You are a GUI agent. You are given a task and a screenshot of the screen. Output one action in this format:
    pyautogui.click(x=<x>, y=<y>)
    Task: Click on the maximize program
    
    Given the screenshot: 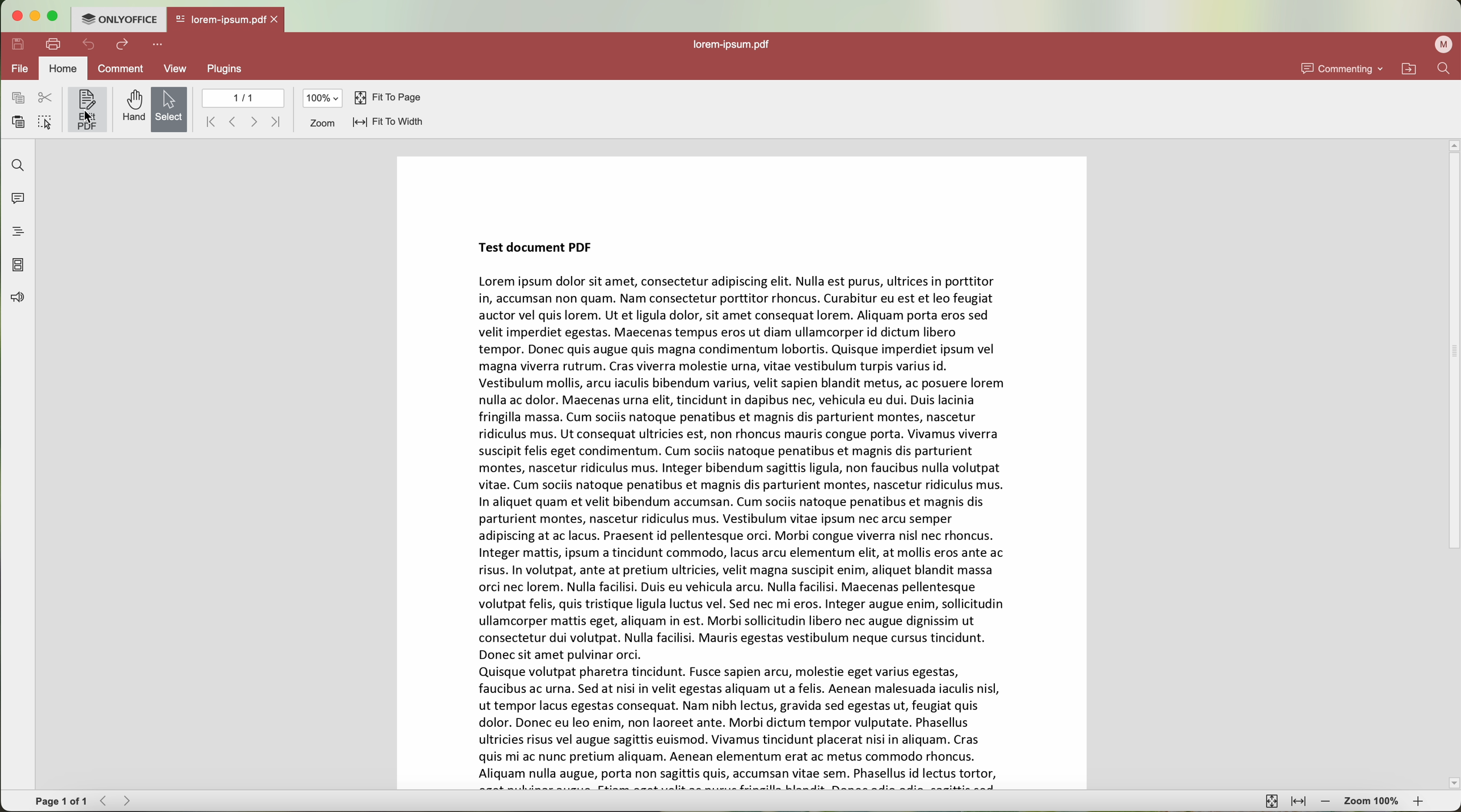 What is the action you would take?
    pyautogui.click(x=56, y=16)
    